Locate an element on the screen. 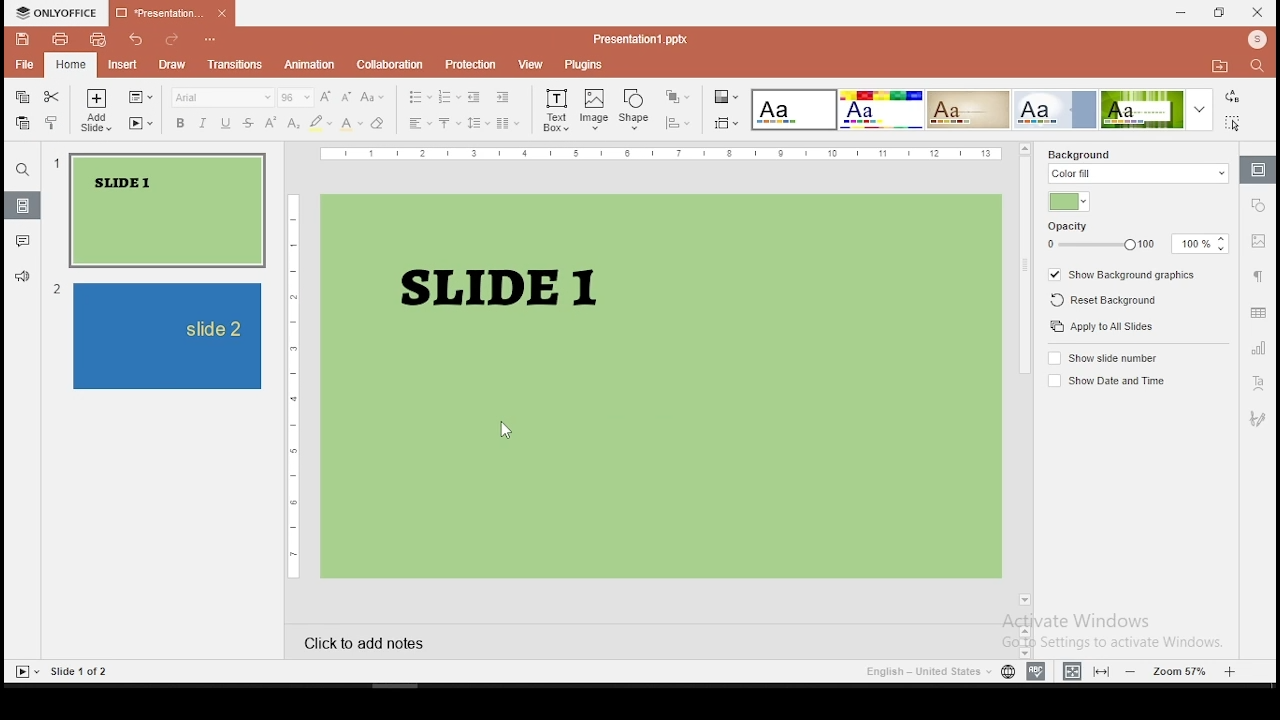 The width and height of the screenshot is (1280, 720). undo is located at coordinates (136, 38).